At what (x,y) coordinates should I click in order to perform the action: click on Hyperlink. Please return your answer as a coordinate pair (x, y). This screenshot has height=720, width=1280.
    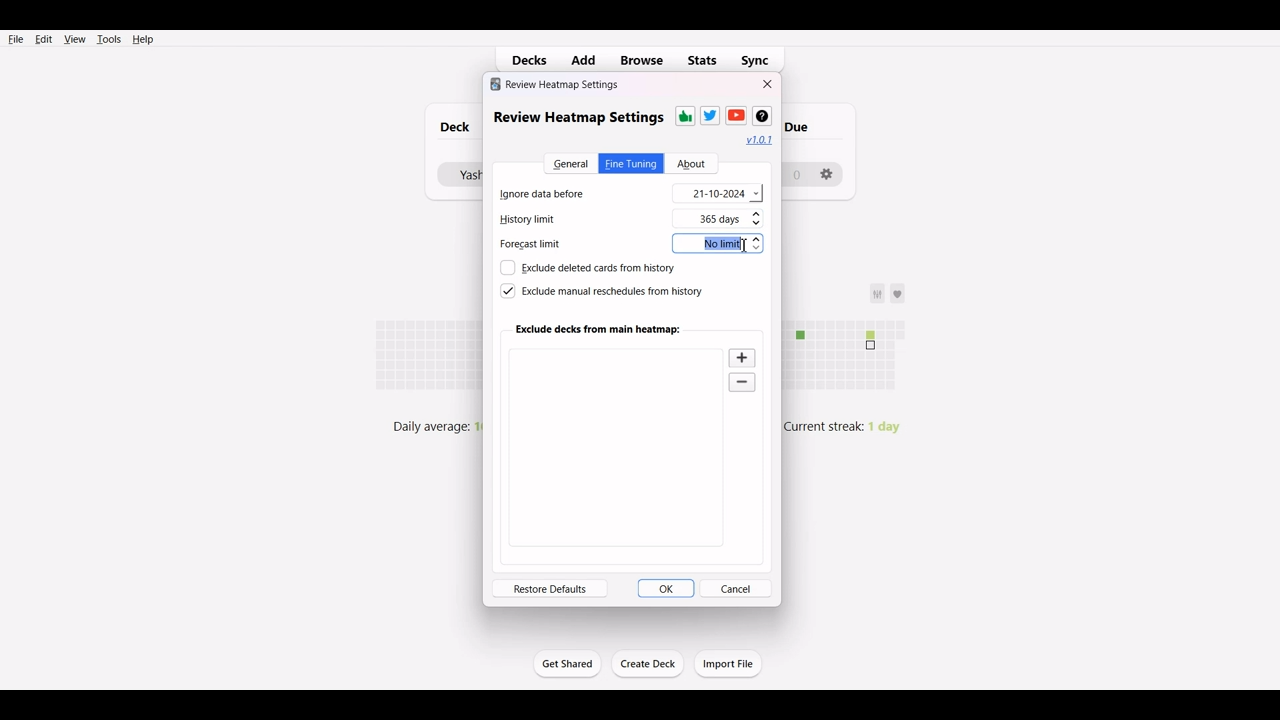
    Looking at the image, I should click on (760, 140).